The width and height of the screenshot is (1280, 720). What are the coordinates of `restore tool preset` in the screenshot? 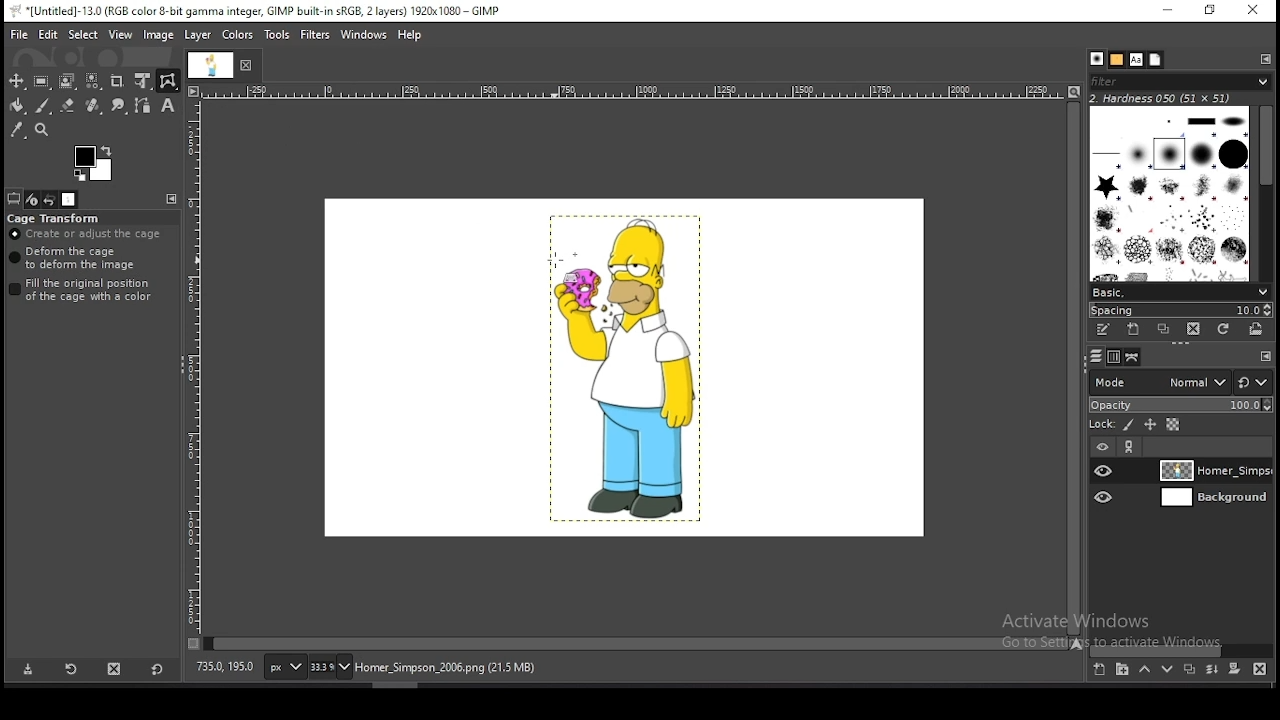 It's located at (72, 670).